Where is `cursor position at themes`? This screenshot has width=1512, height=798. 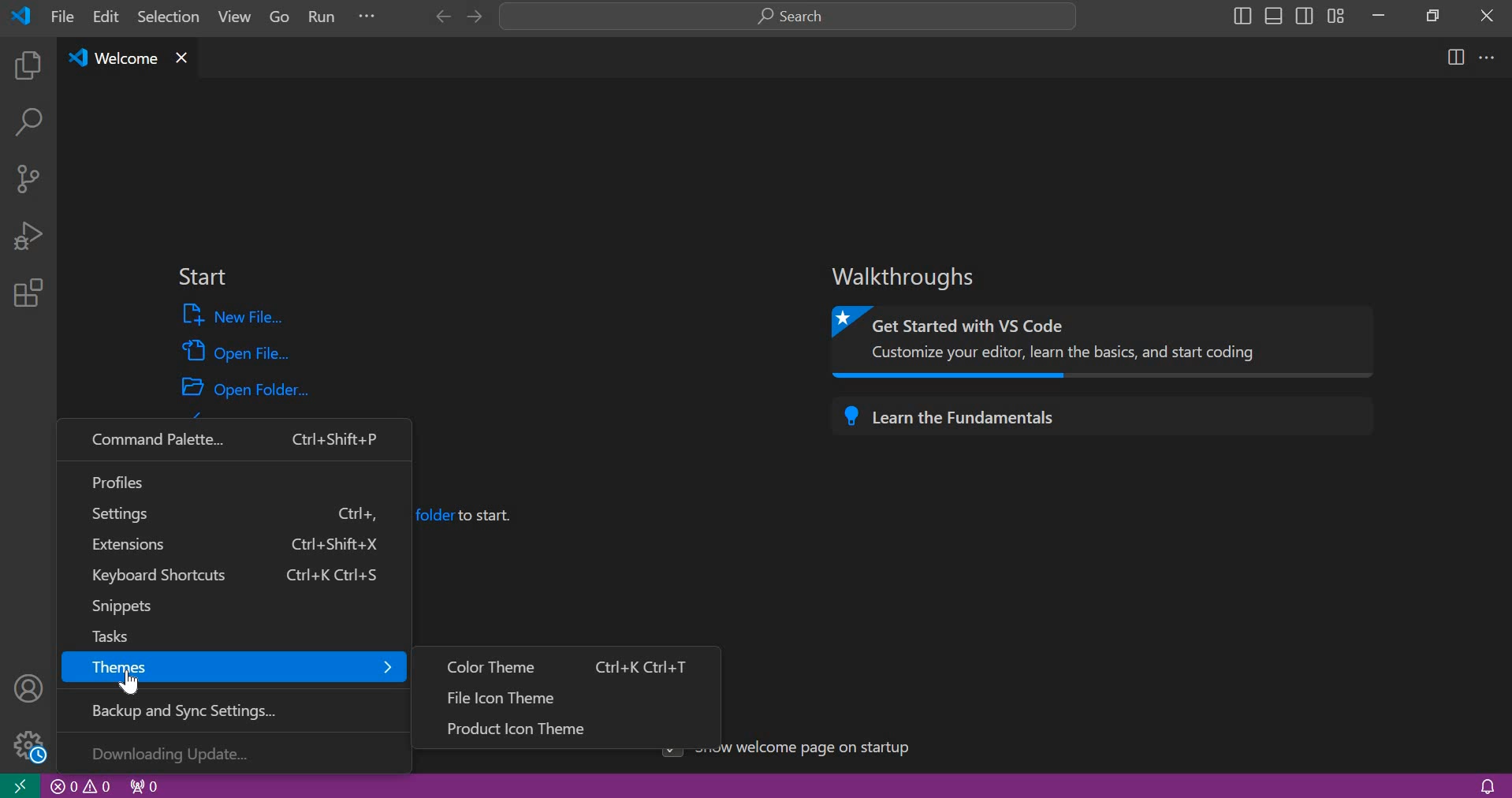 cursor position at themes is located at coordinates (131, 680).